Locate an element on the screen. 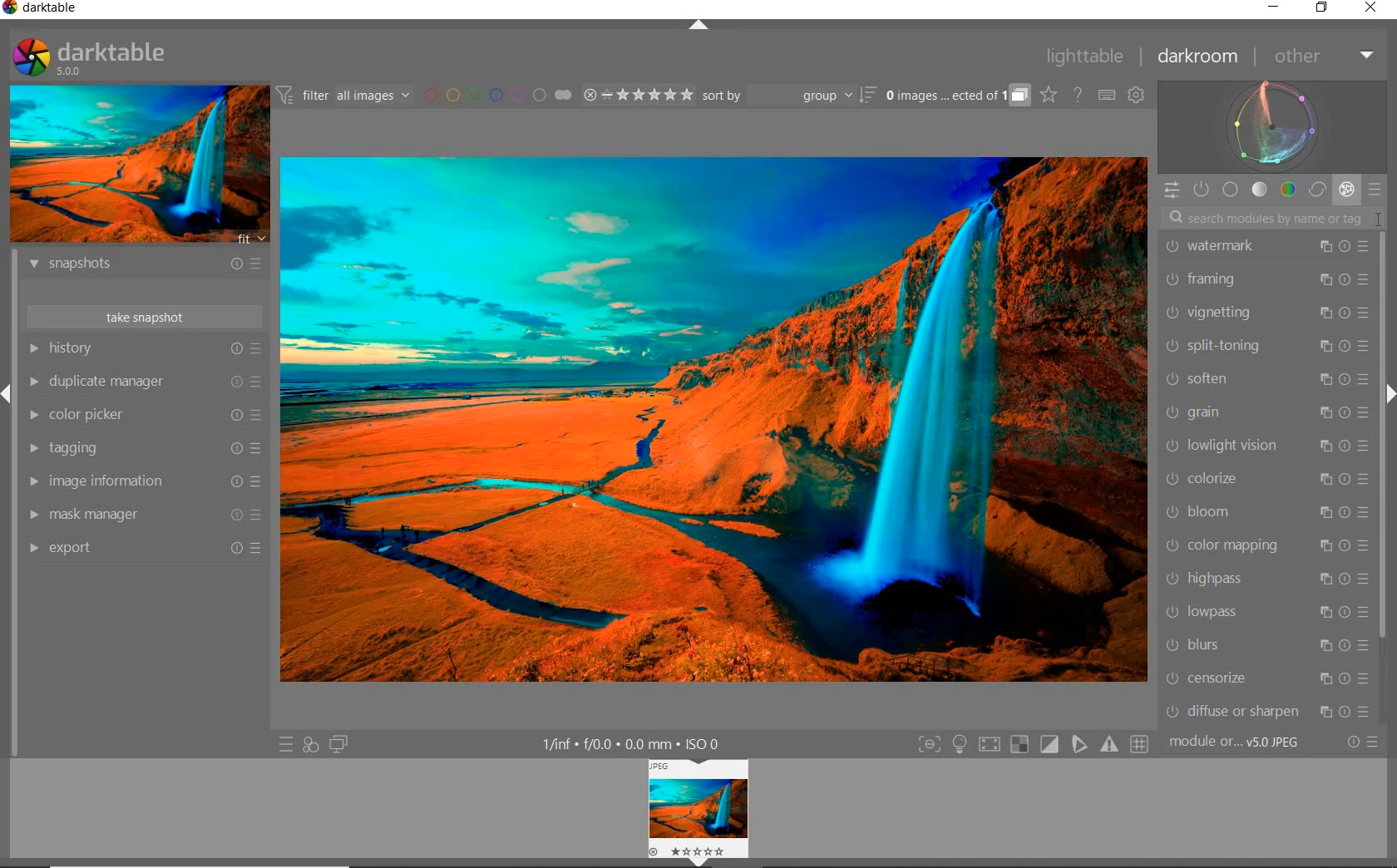  split-toning is located at coordinates (1266, 348).